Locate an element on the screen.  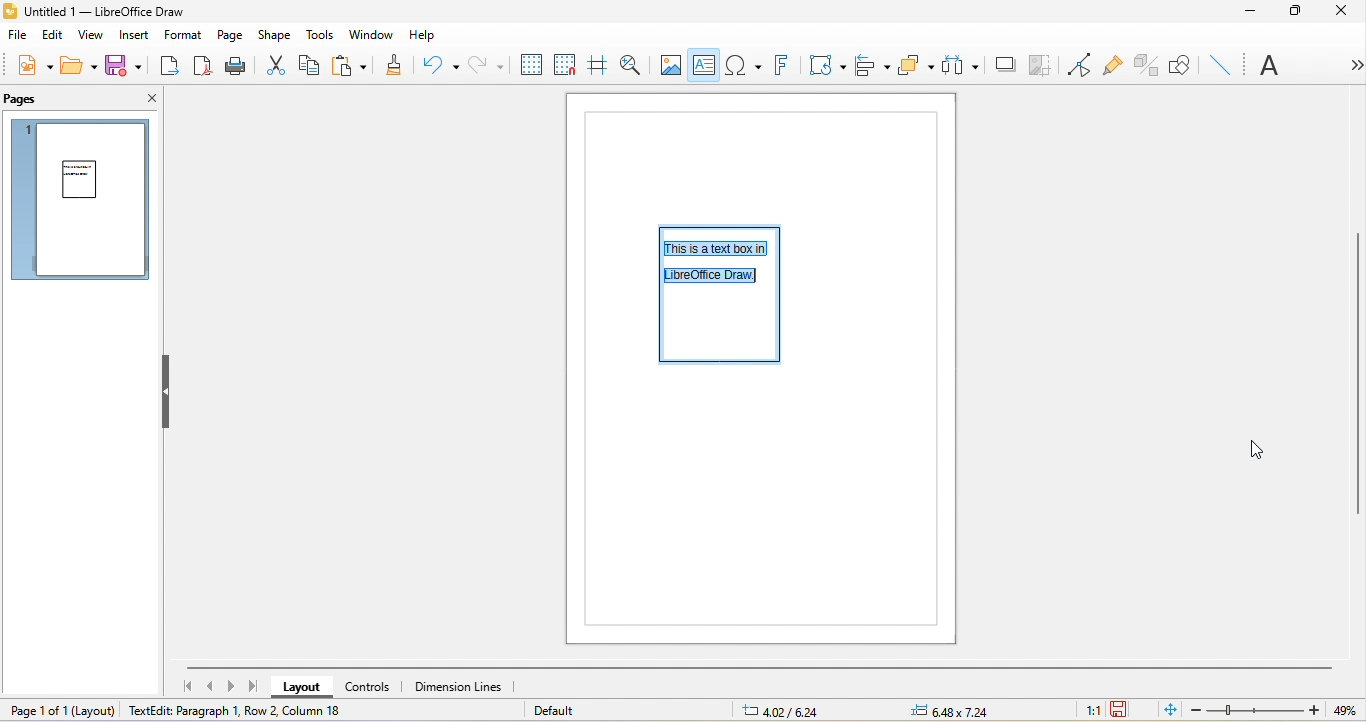
default is located at coordinates (564, 711).